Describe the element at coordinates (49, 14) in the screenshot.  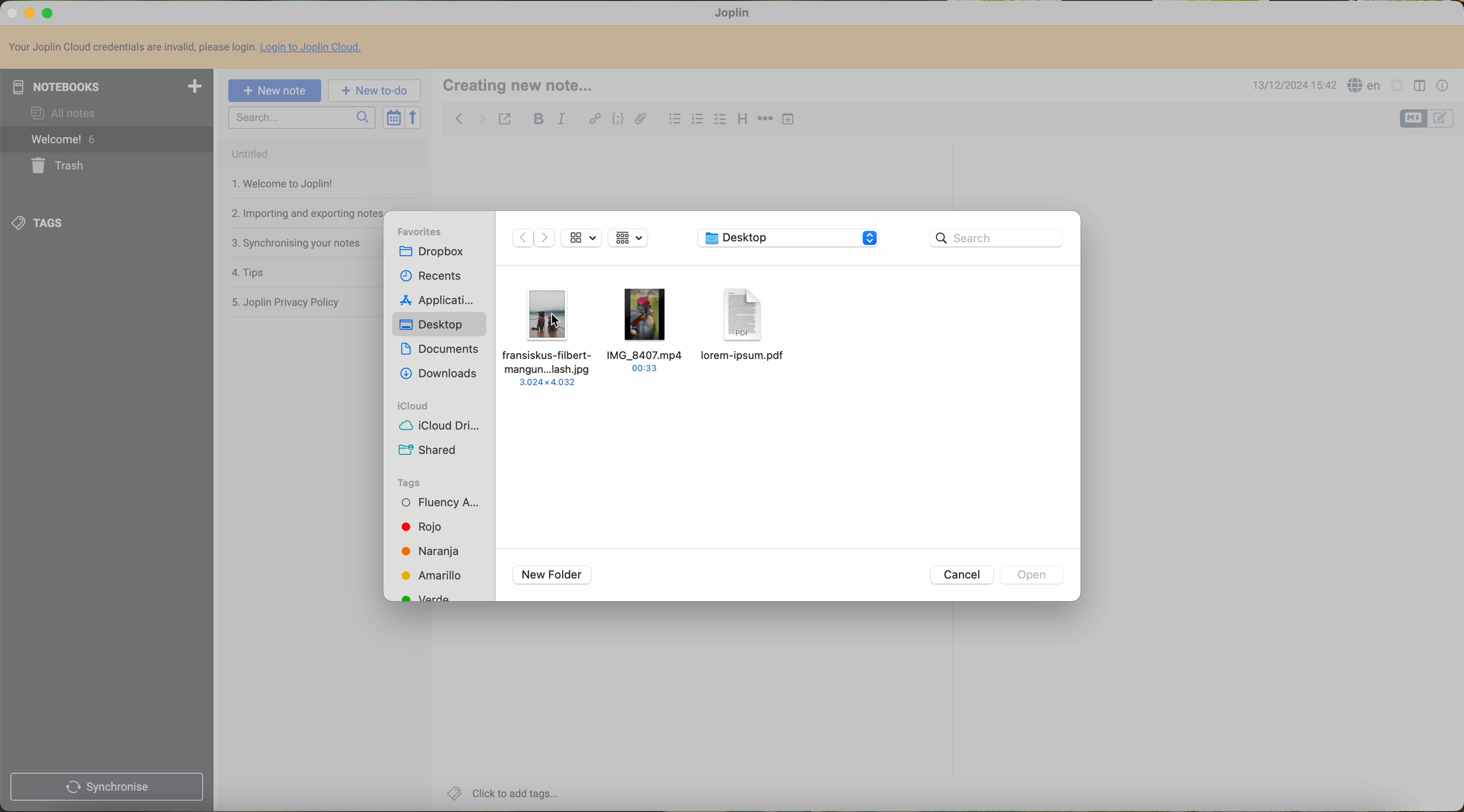
I see `maximize Calibre` at that location.